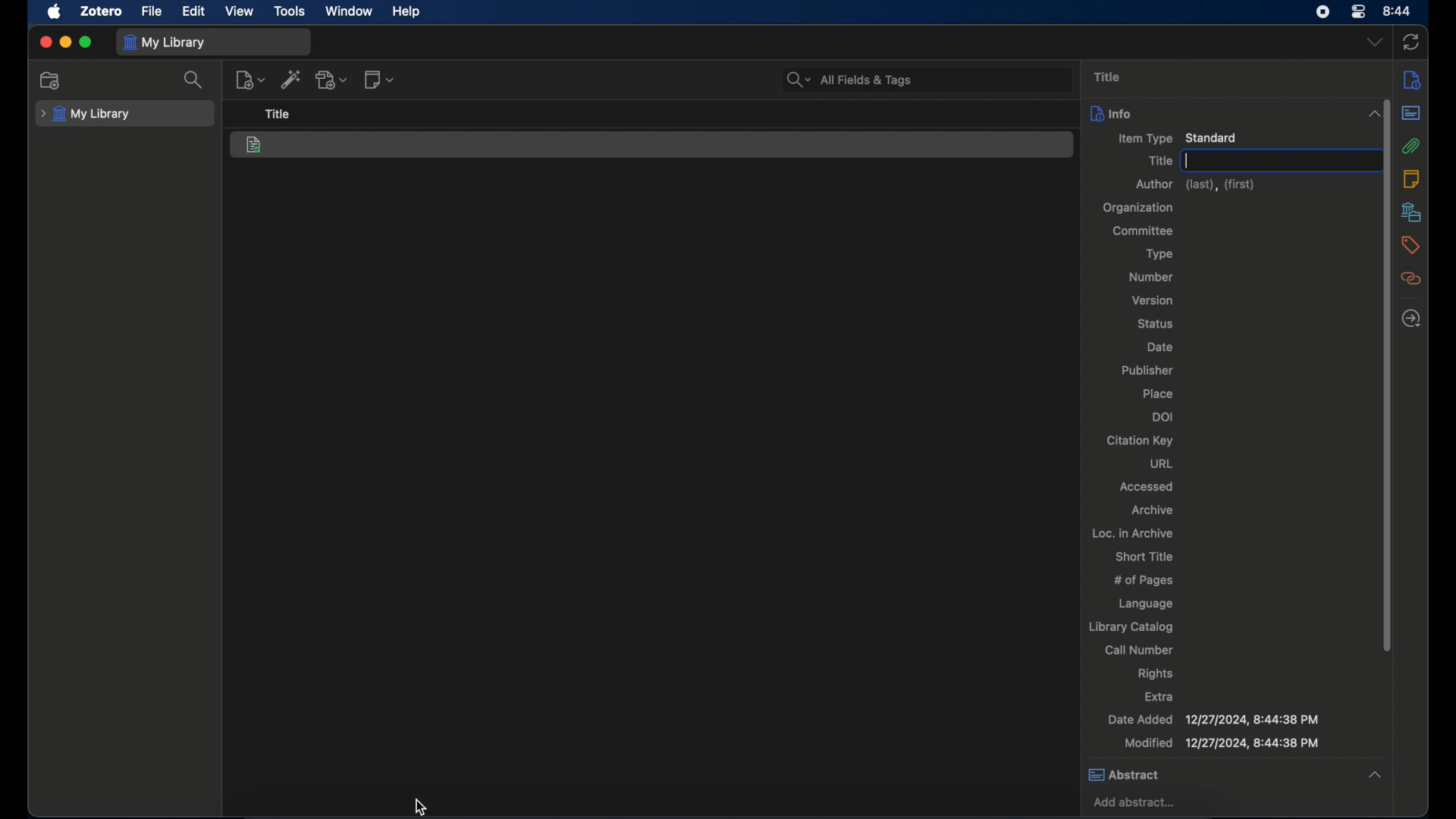 The height and width of the screenshot is (819, 1456). Describe the element at coordinates (1220, 744) in the screenshot. I see `modified` at that location.